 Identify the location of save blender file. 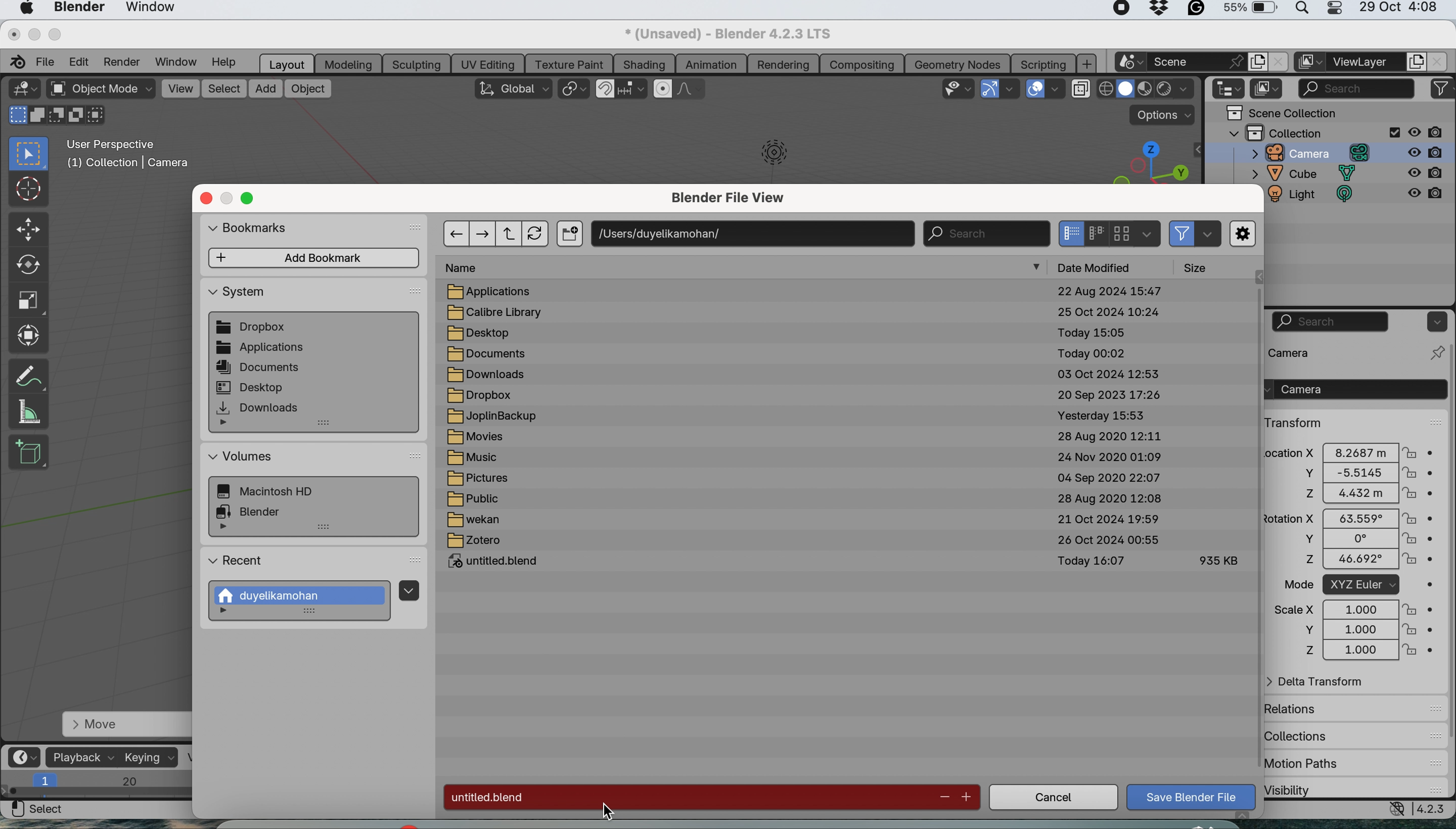
(1193, 797).